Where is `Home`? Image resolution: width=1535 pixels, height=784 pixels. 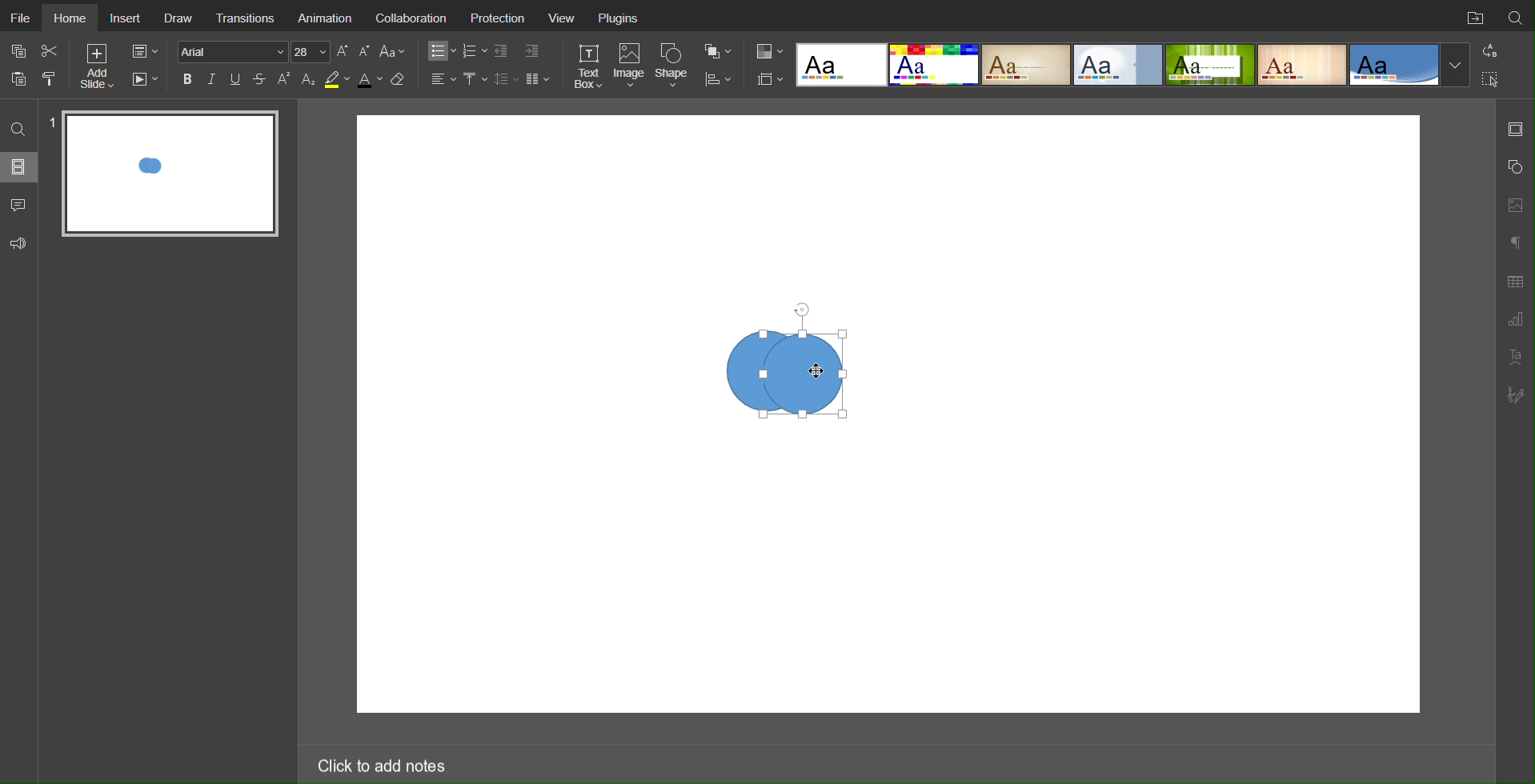
Home is located at coordinates (74, 18).